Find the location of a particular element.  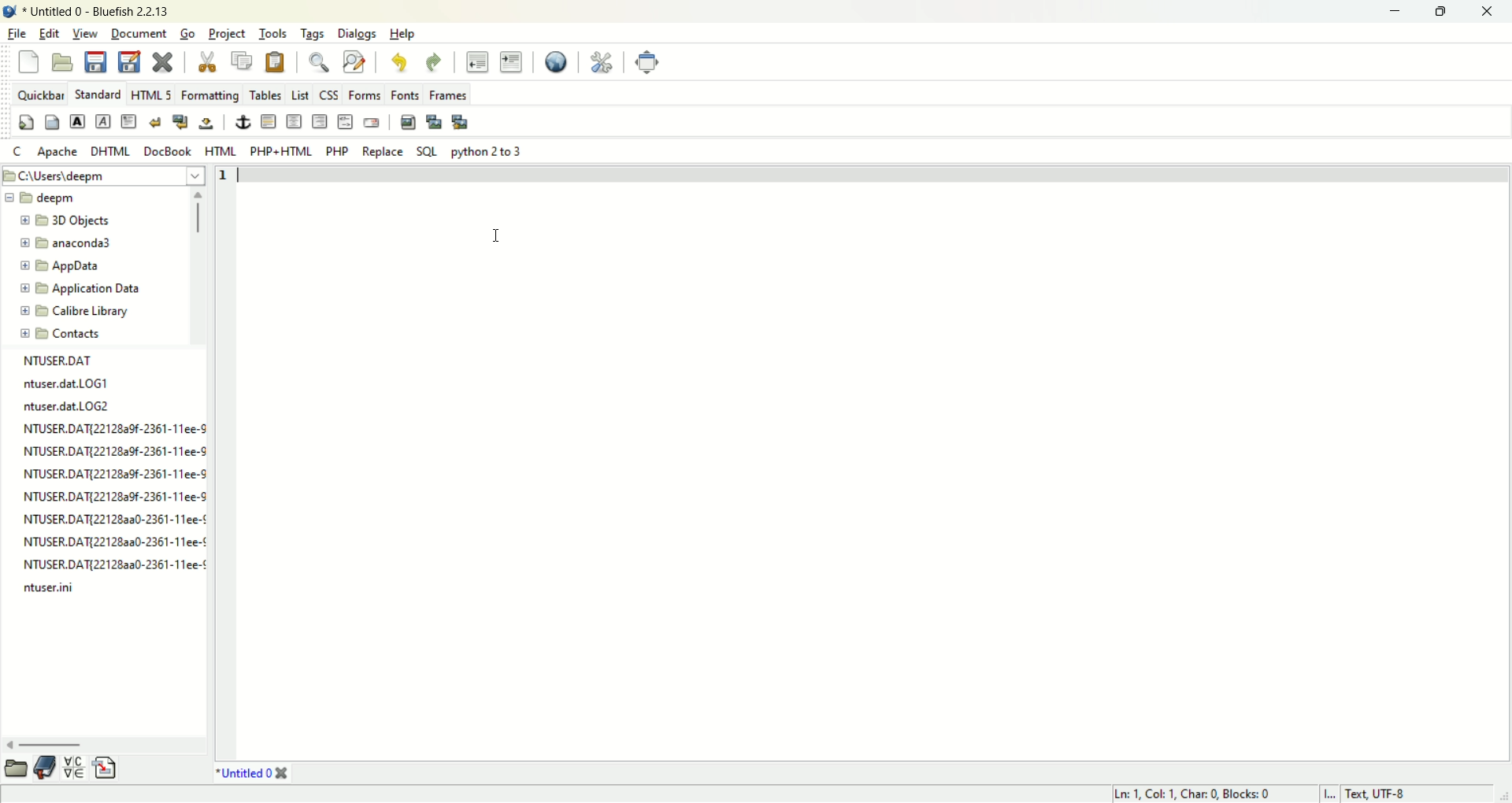

project is located at coordinates (227, 33).